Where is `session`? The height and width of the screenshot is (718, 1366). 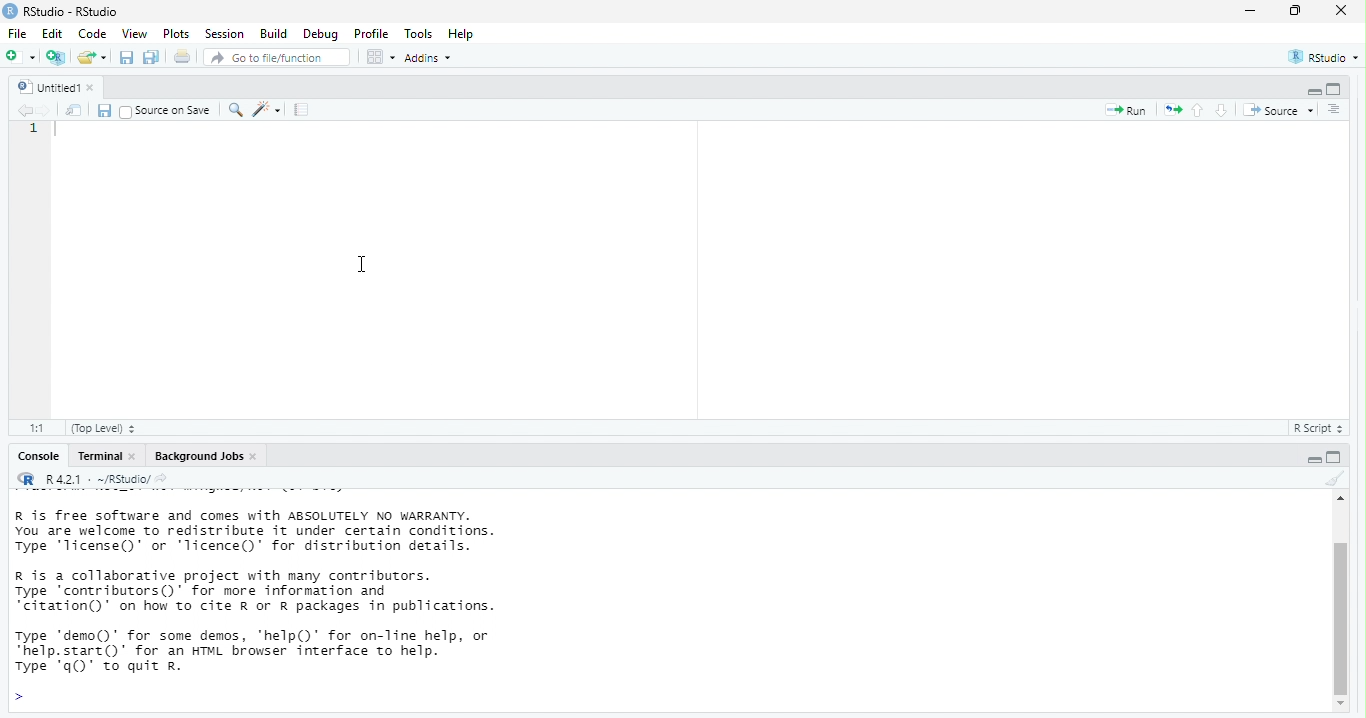
session is located at coordinates (224, 34).